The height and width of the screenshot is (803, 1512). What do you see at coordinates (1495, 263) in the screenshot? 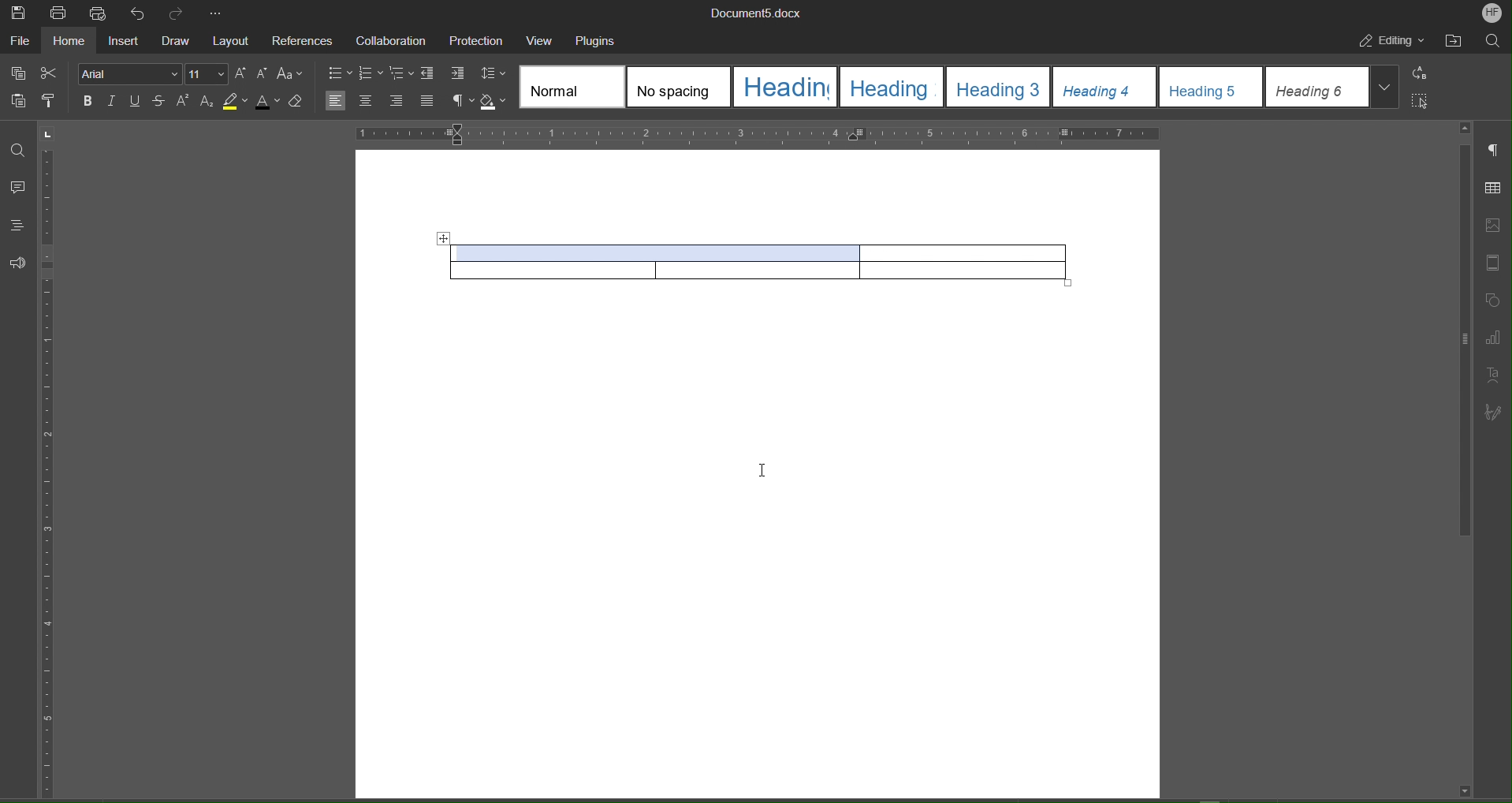
I see `Header and Footer` at bounding box center [1495, 263].